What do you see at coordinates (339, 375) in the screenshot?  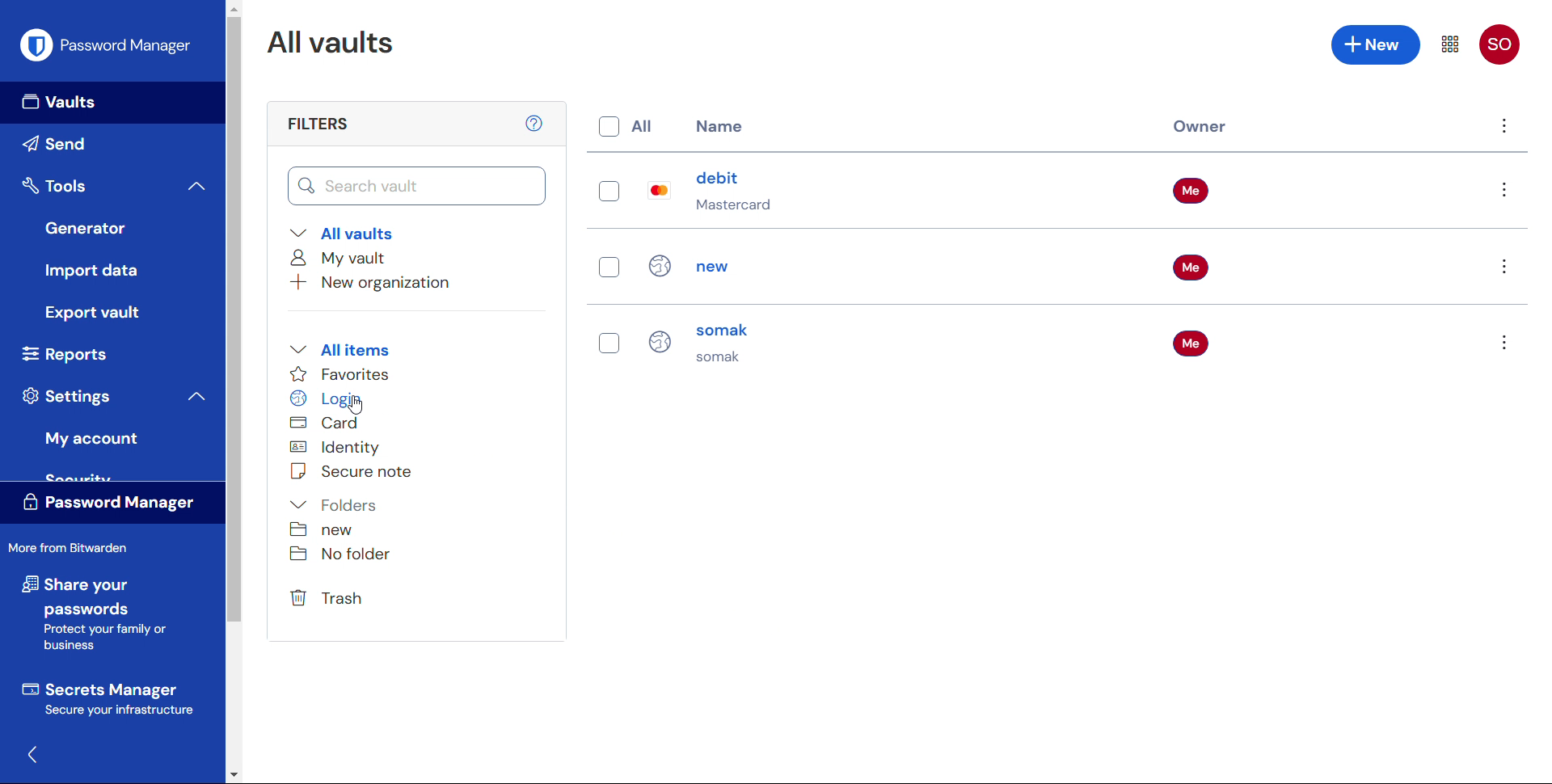 I see `Favourites ` at bounding box center [339, 375].